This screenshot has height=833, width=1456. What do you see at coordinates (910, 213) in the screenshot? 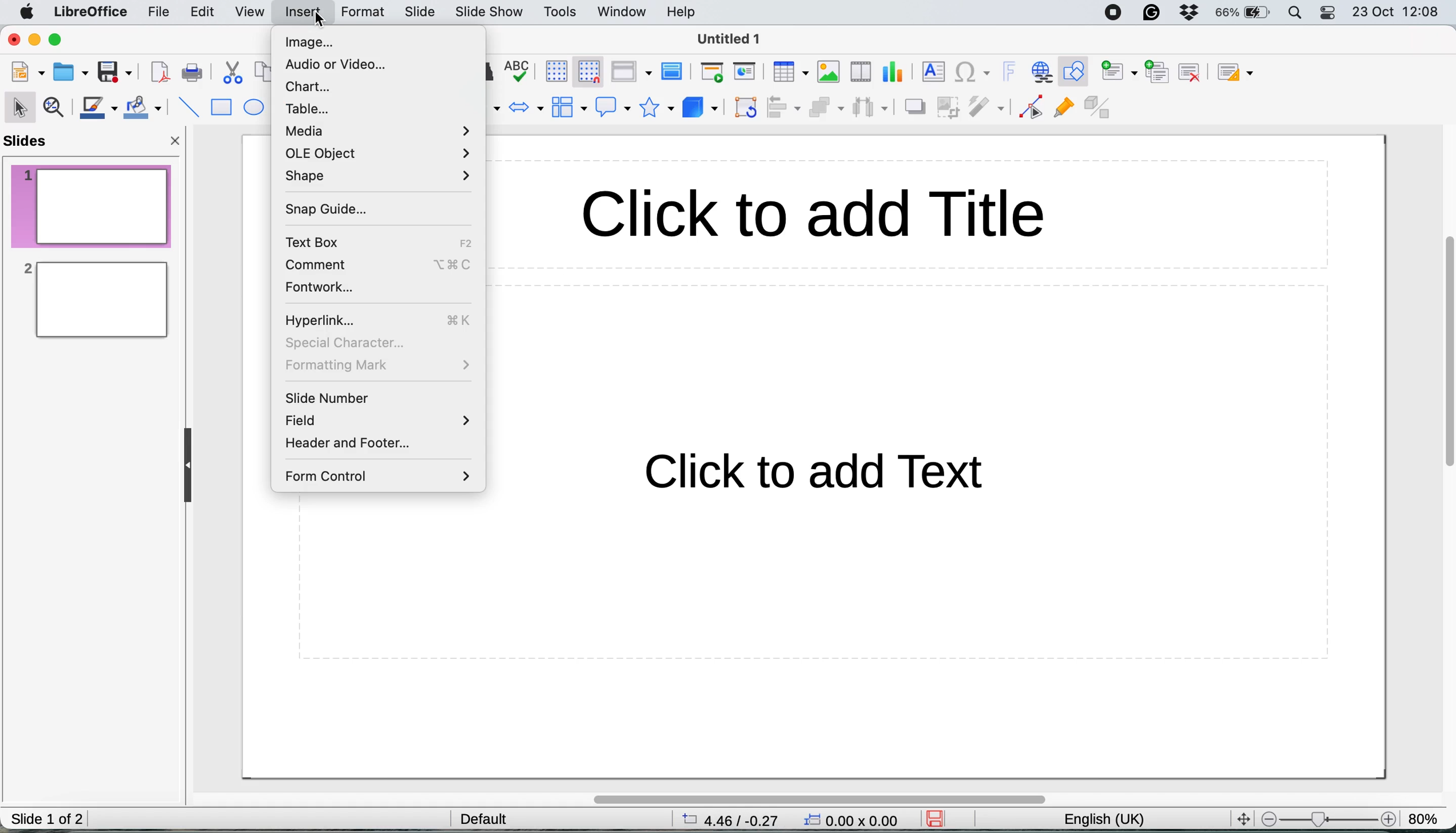
I see `Click to add title` at bounding box center [910, 213].